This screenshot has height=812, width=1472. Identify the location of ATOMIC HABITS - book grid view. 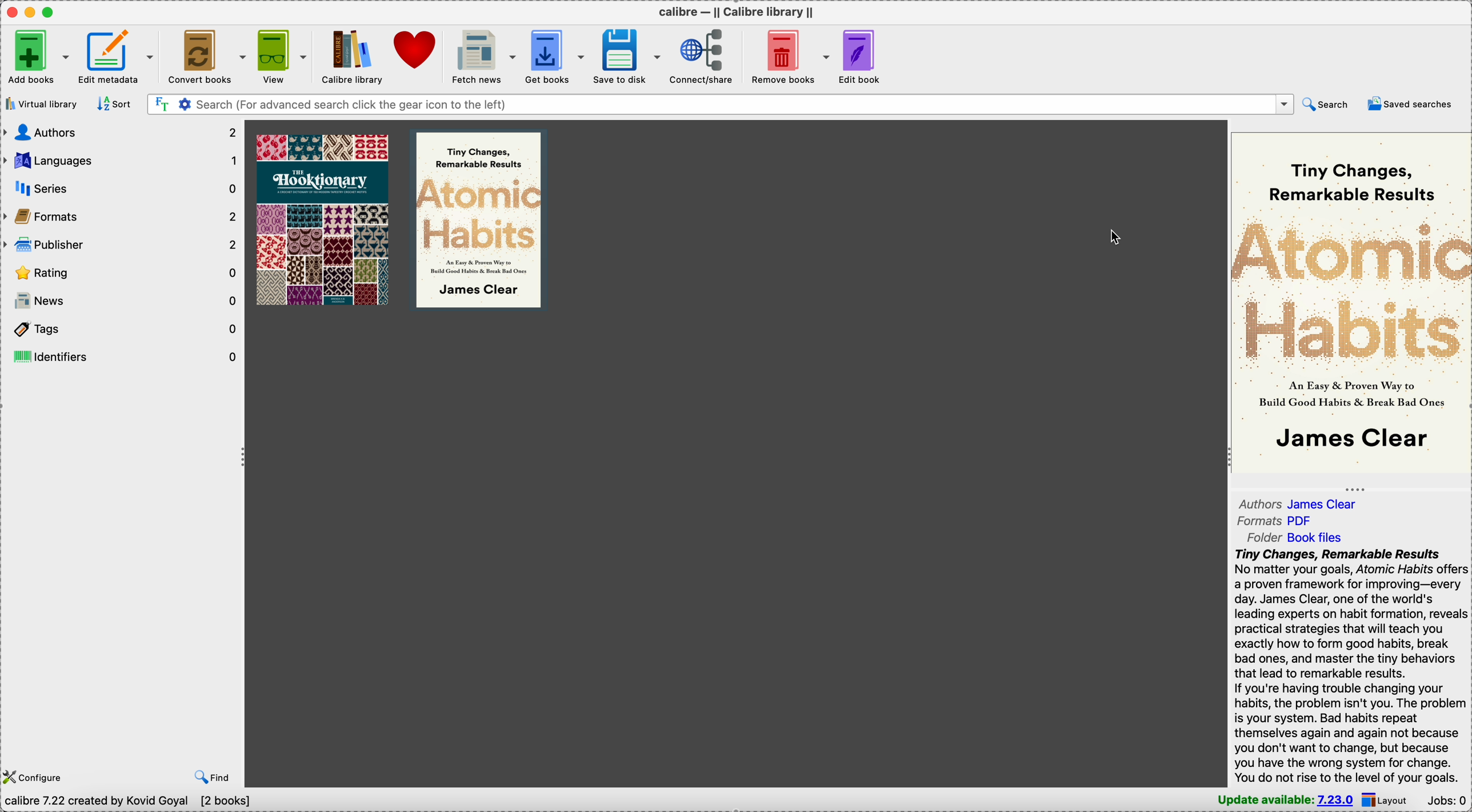
(479, 219).